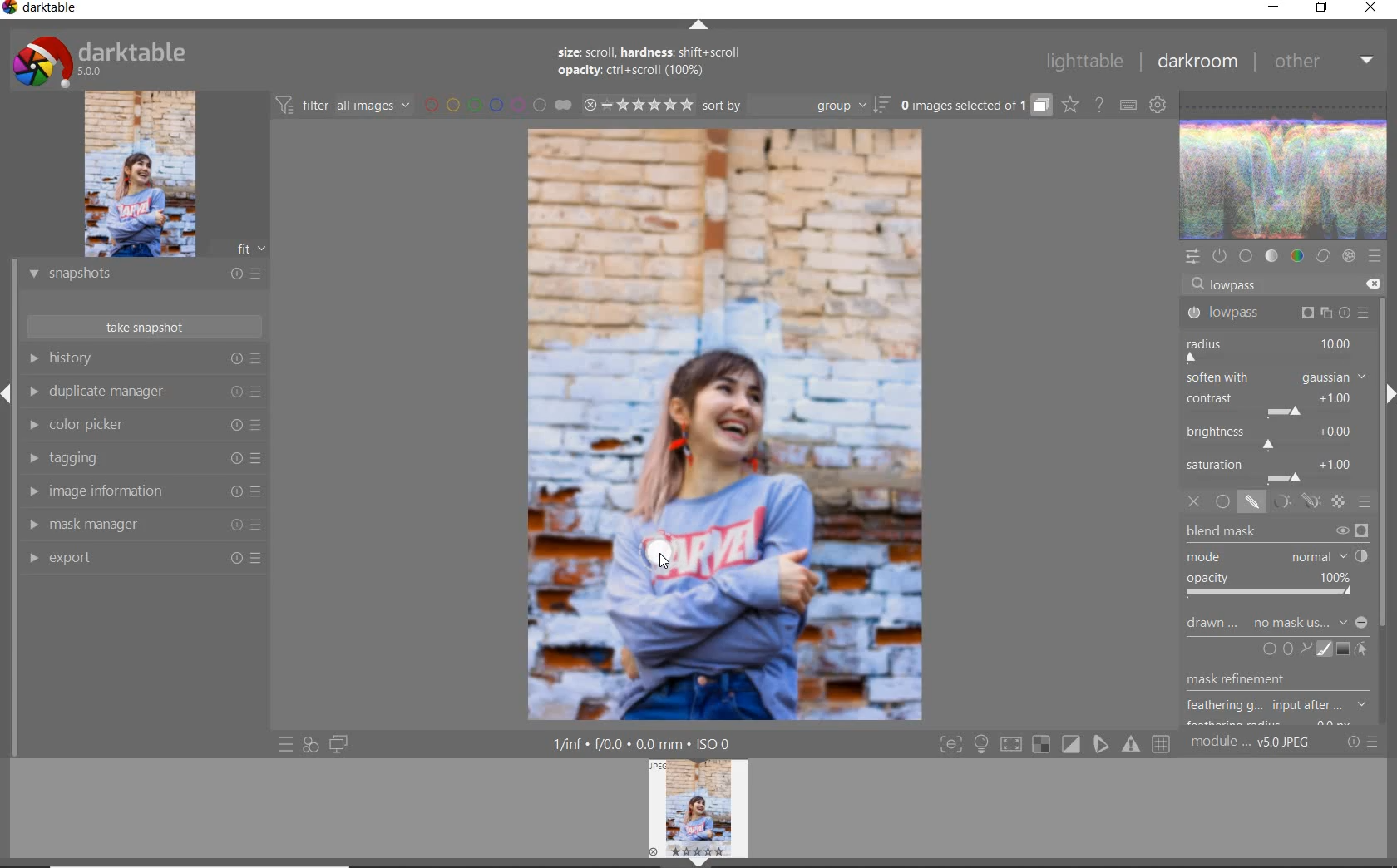 This screenshot has height=868, width=1397. I want to click on correct, so click(1322, 257).